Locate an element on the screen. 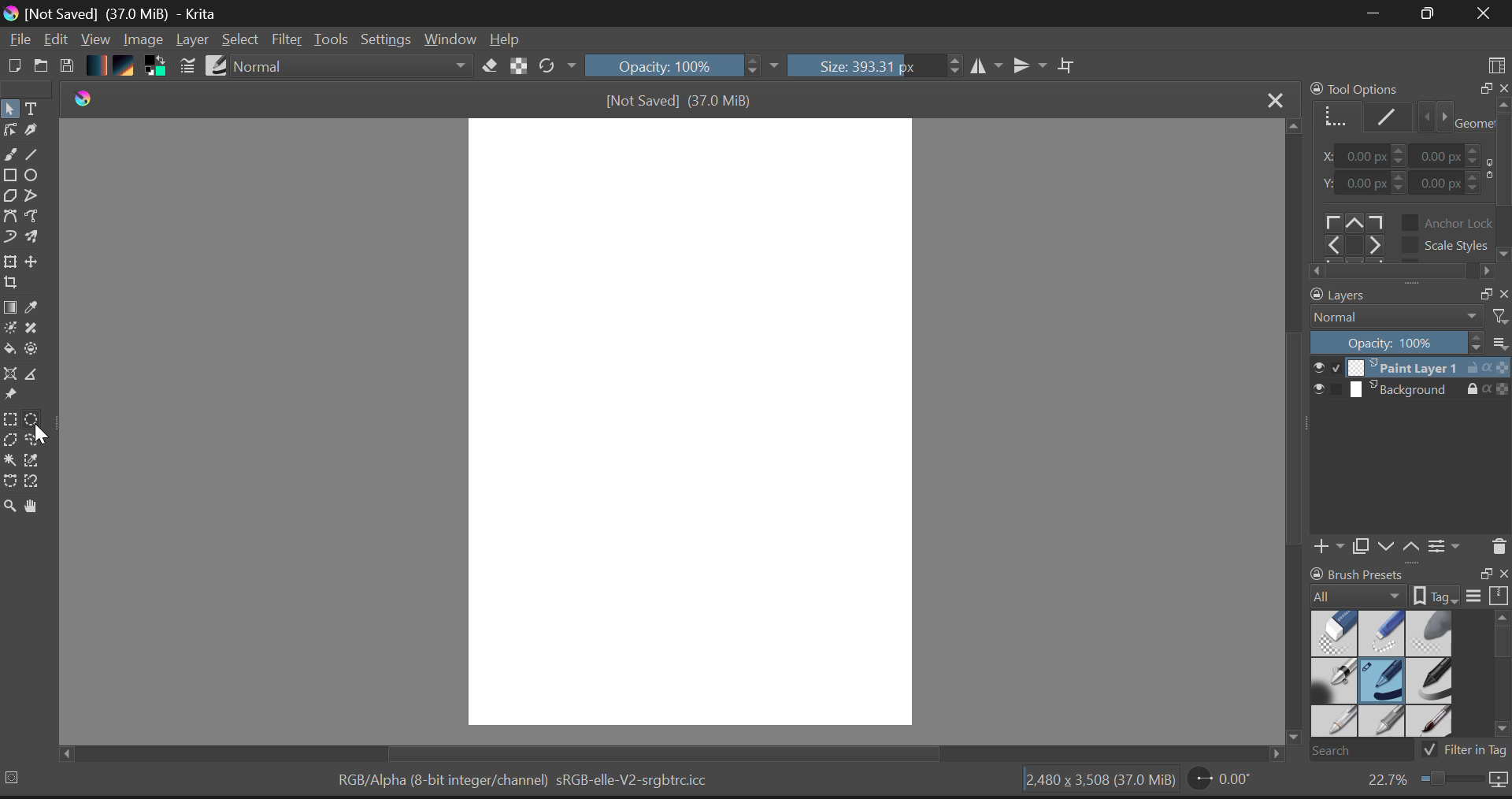 This screenshot has width=1512, height=799. Rectangle Selection is located at coordinates (9, 421).